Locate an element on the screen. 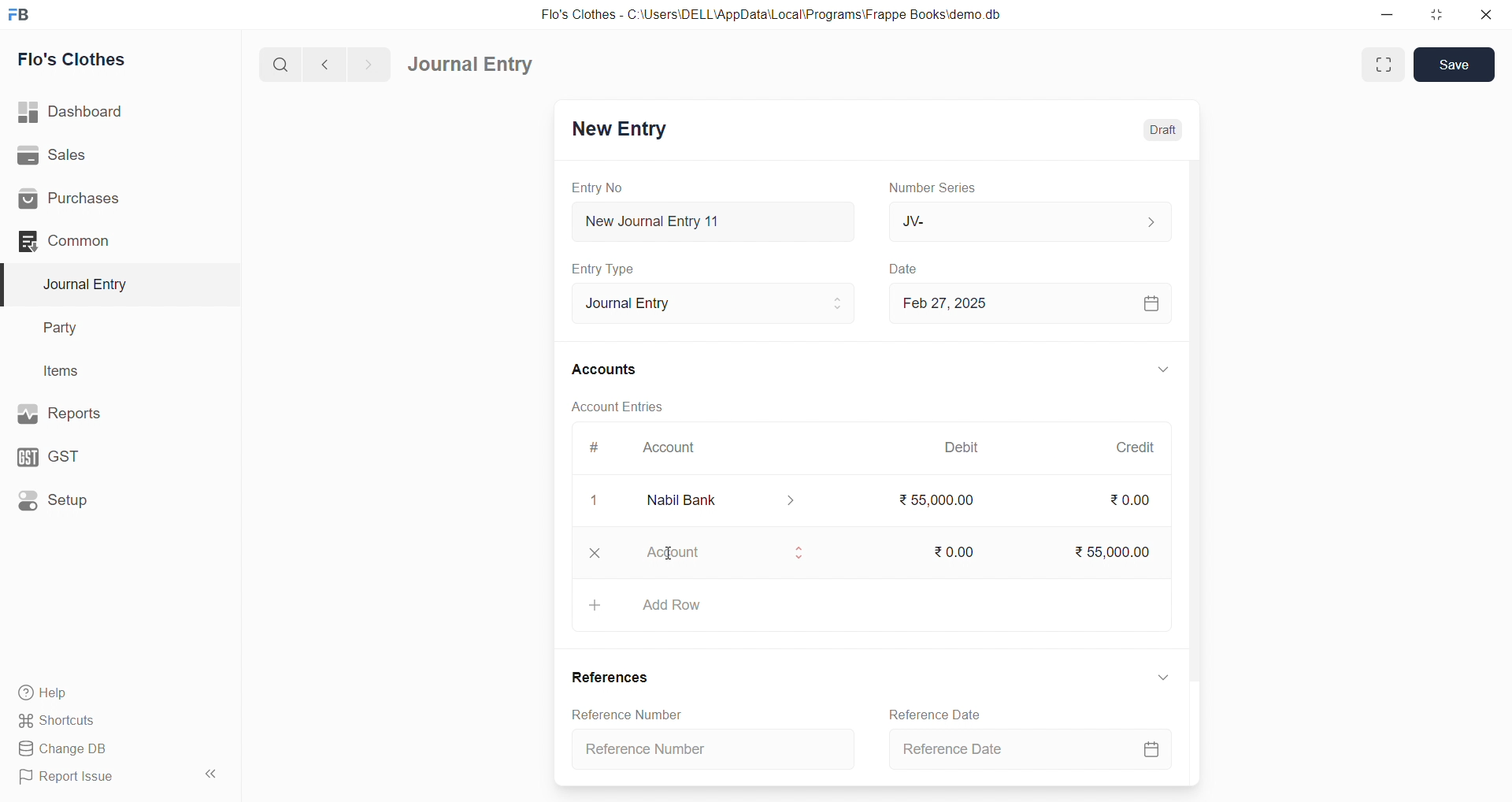 Image resolution: width=1512 pixels, height=802 pixels. Entry Type is located at coordinates (604, 269).